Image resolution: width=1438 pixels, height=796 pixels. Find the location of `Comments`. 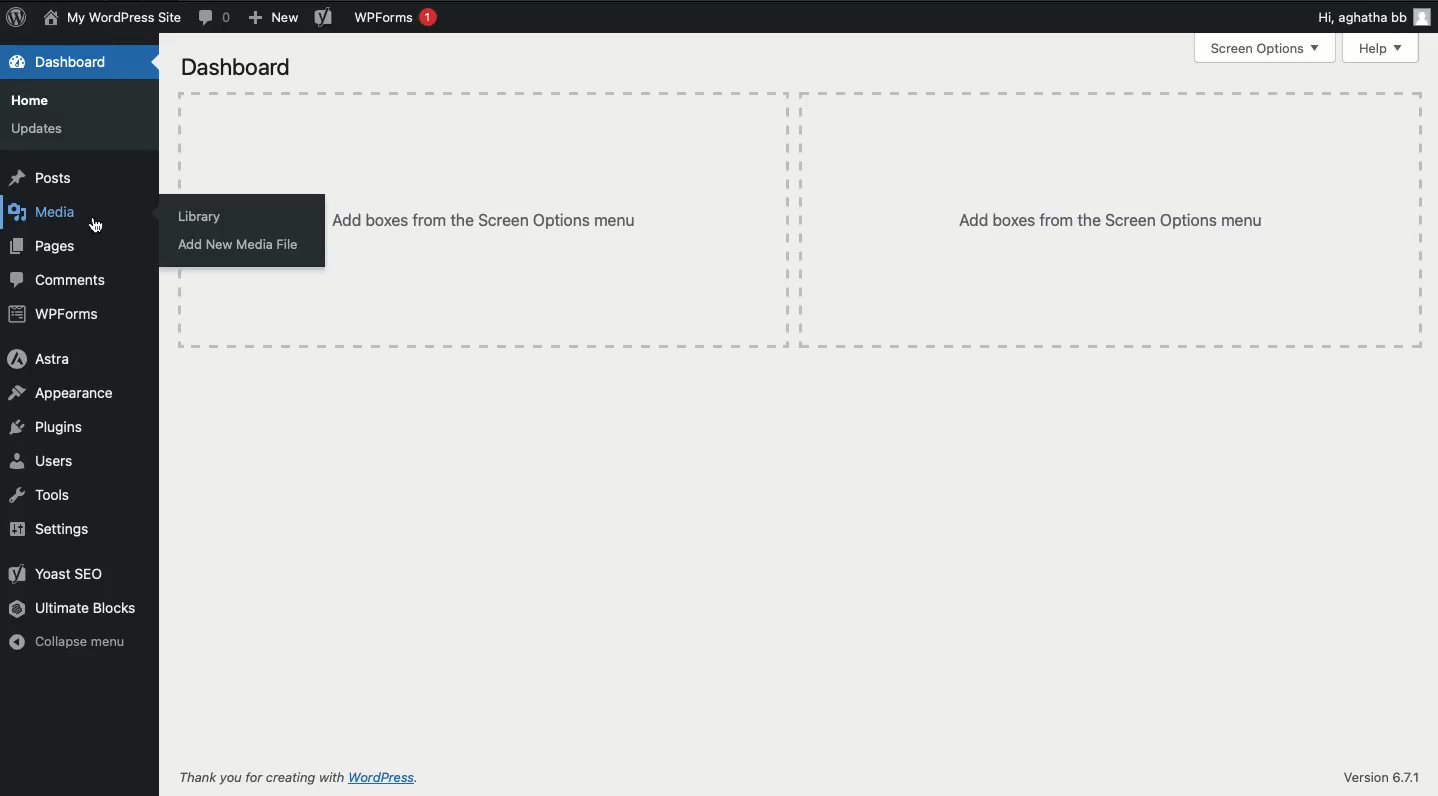

Comments is located at coordinates (66, 278).